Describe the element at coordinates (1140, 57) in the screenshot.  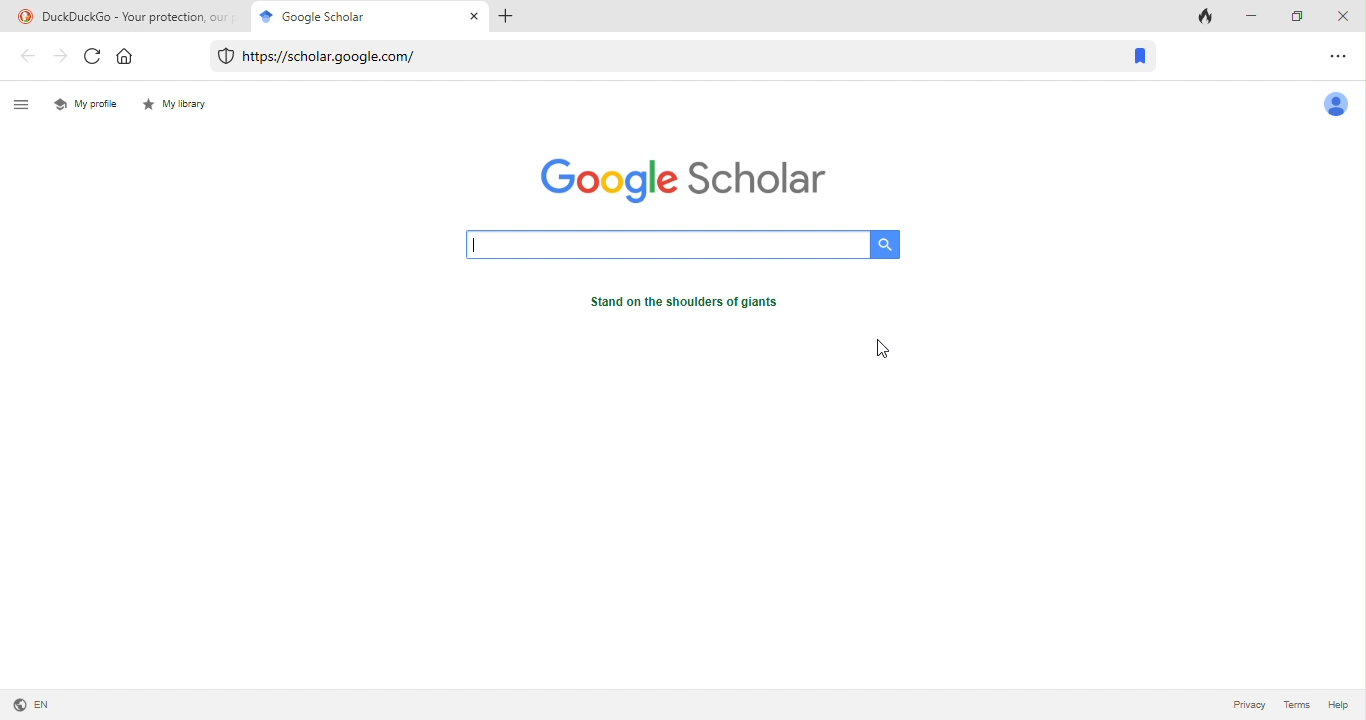
I see `bookmark` at that location.